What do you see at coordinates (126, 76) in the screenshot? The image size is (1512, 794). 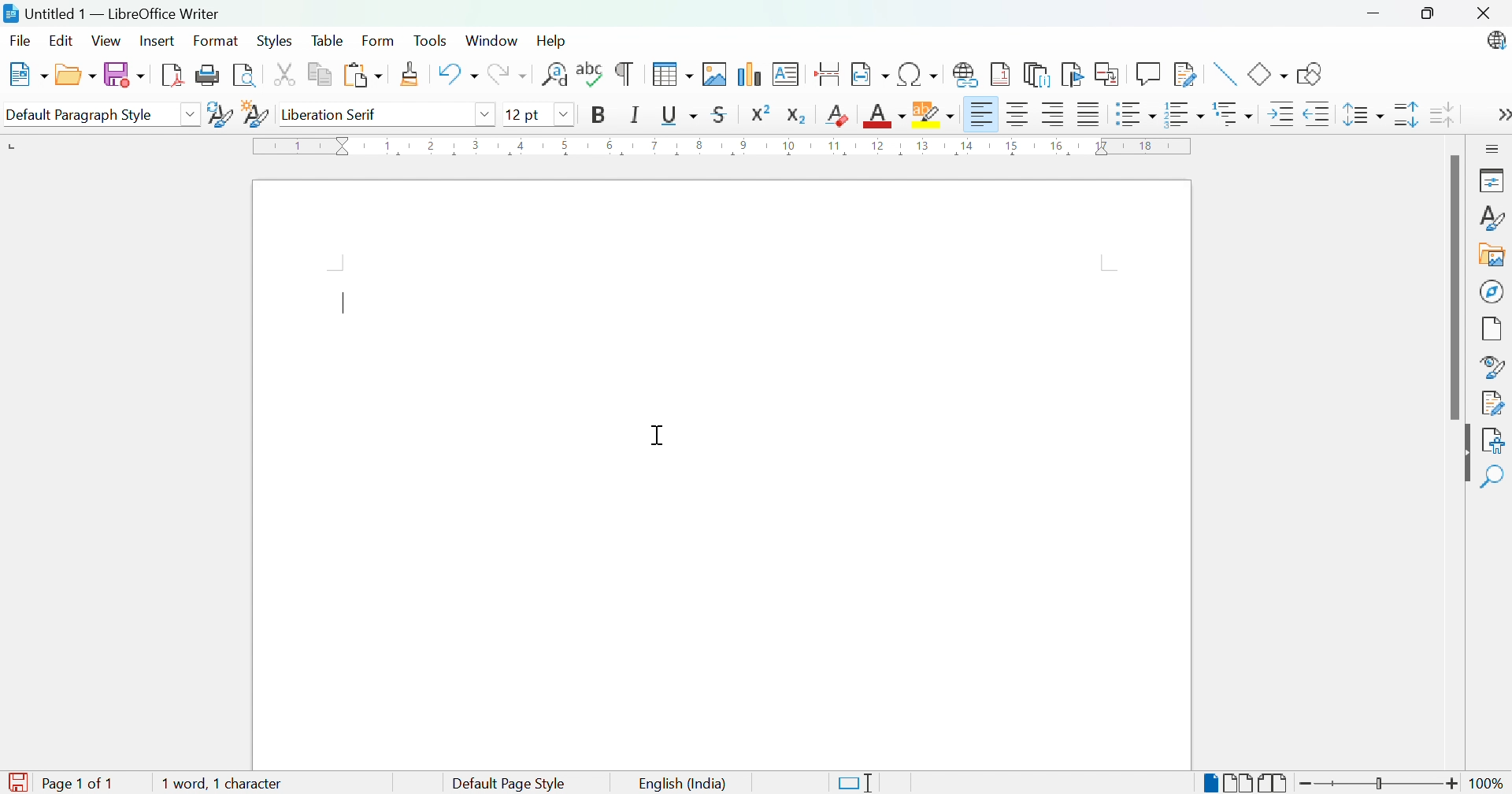 I see `Save` at bounding box center [126, 76].